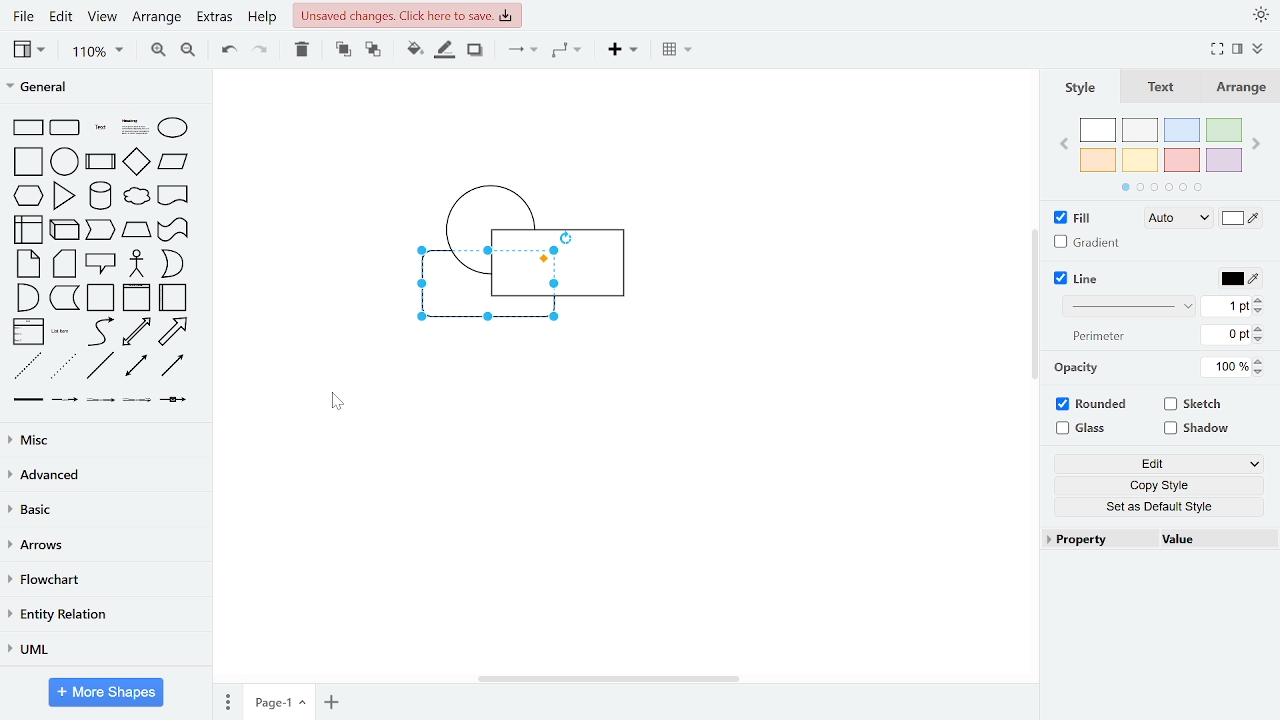  What do you see at coordinates (264, 17) in the screenshot?
I see `help` at bounding box center [264, 17].